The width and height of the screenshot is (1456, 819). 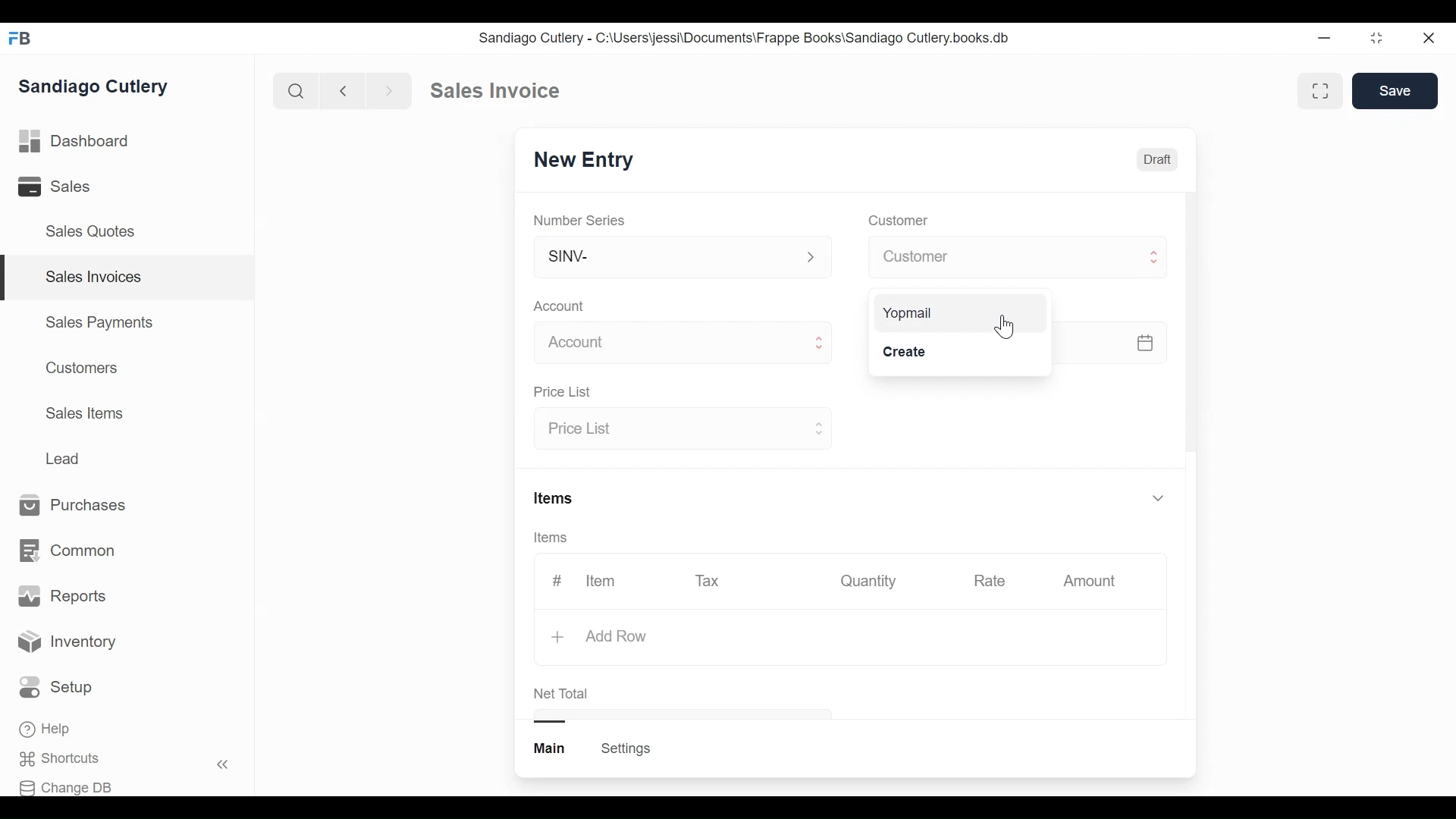 What do you see at coordinates (98, 86) in the screenshot?
I see `Sandiago Cutlery` at bounding box center [98, 86].